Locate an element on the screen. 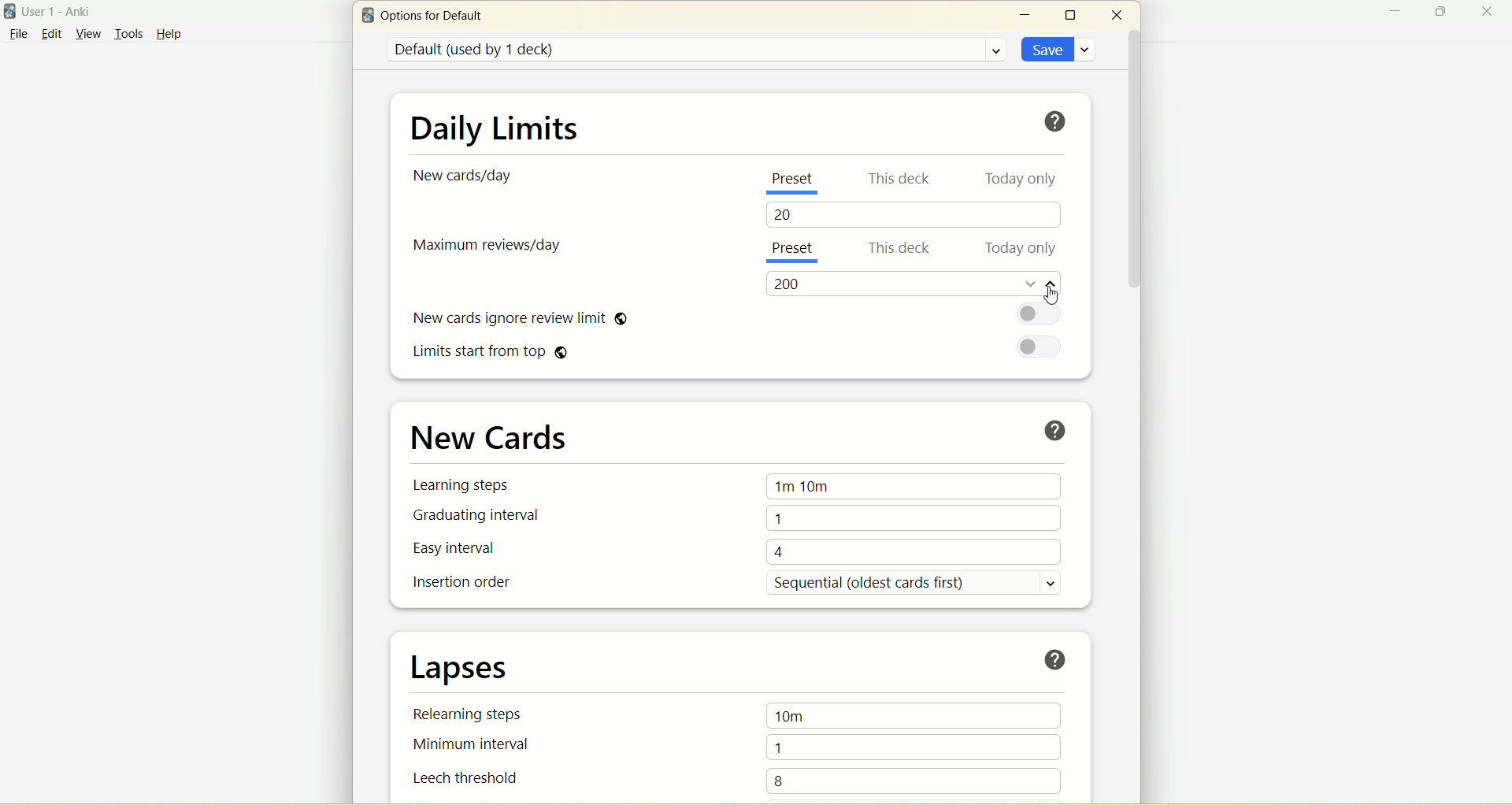 The width and height of the screenshot is (1512, 805). tools is located at coordinates (128, 35).